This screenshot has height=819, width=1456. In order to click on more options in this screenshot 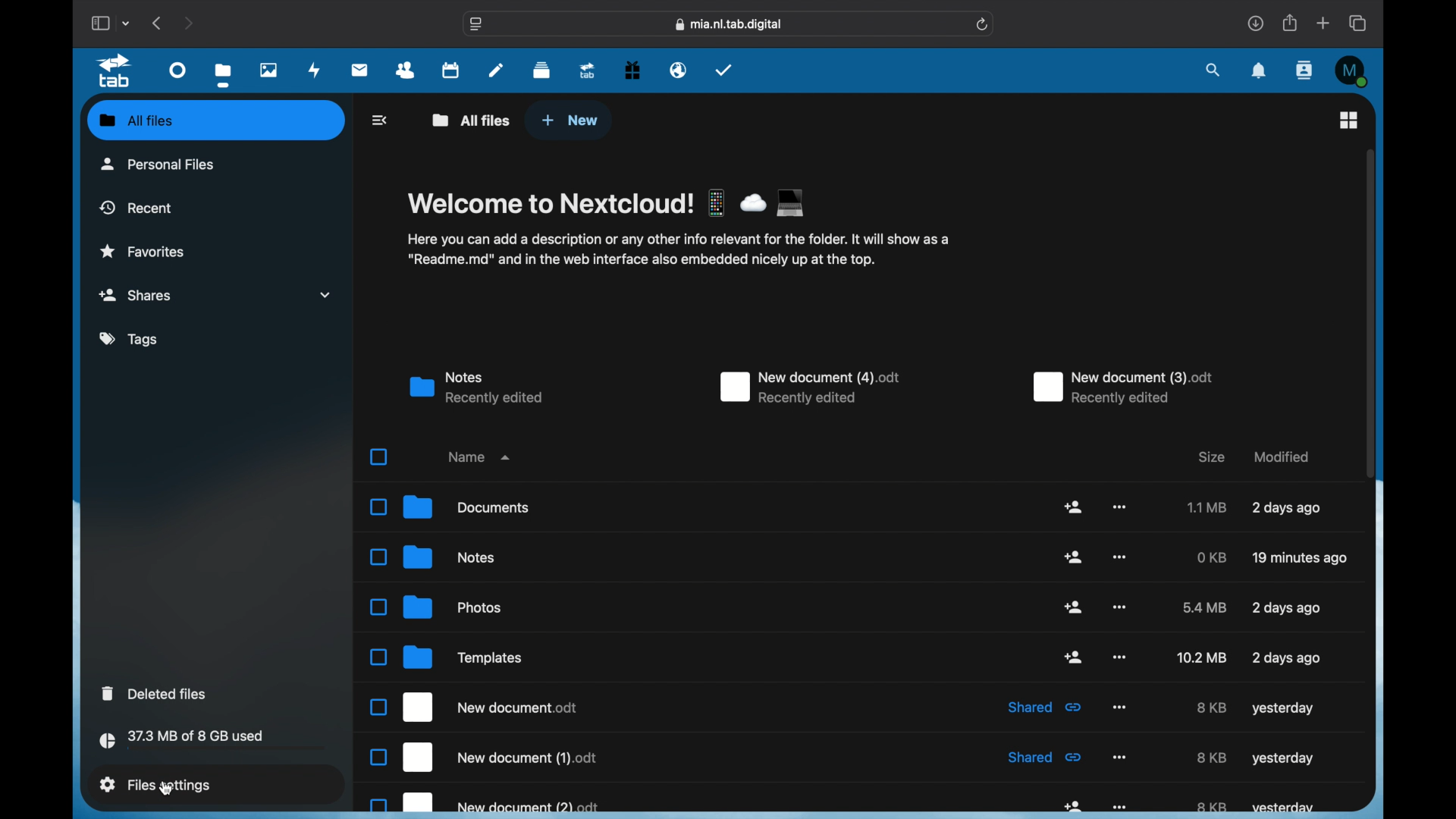, I will do `click(1119, 657)`.